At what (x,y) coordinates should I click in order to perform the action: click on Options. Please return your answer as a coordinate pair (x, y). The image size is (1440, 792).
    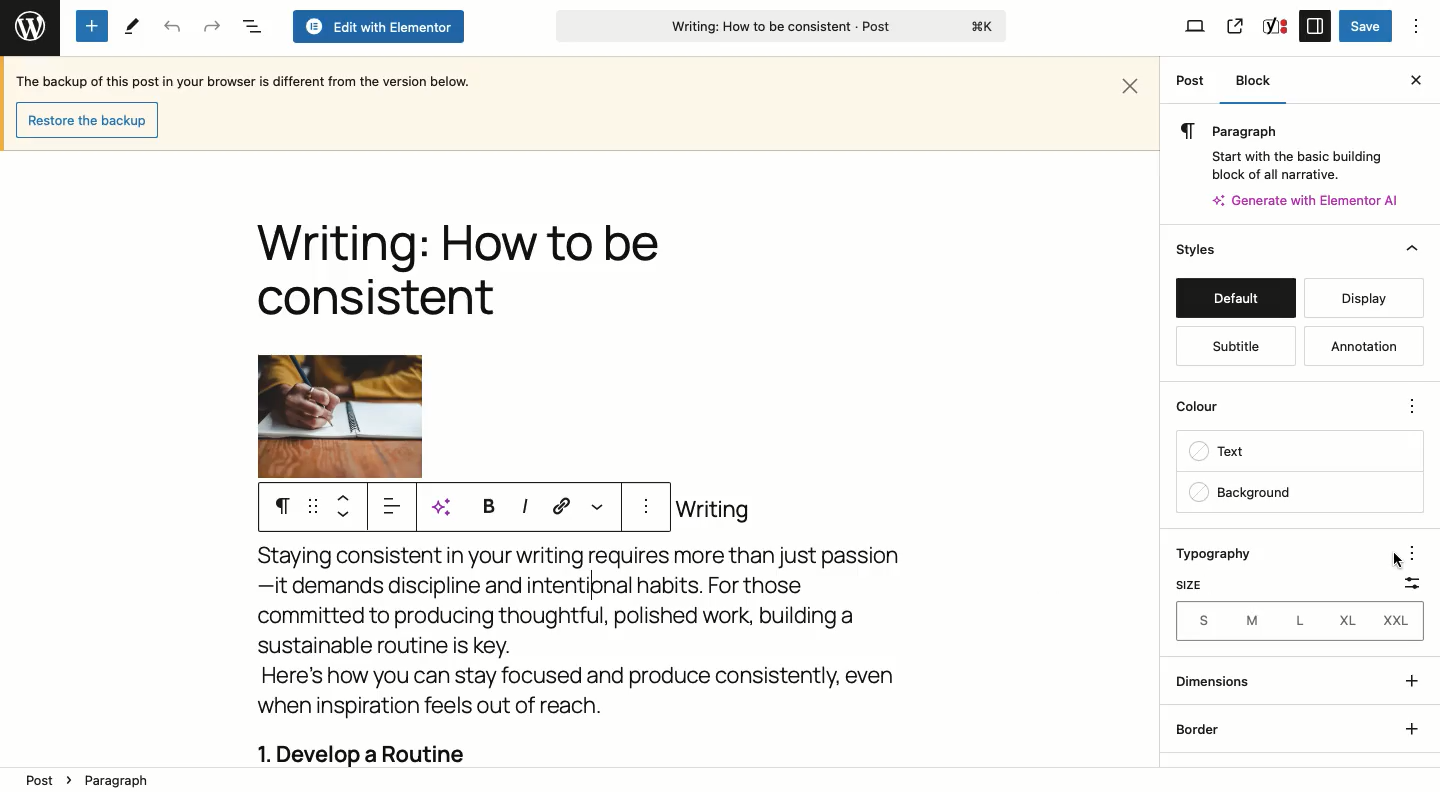
    Looking at the image, I should click on (1417, 26).